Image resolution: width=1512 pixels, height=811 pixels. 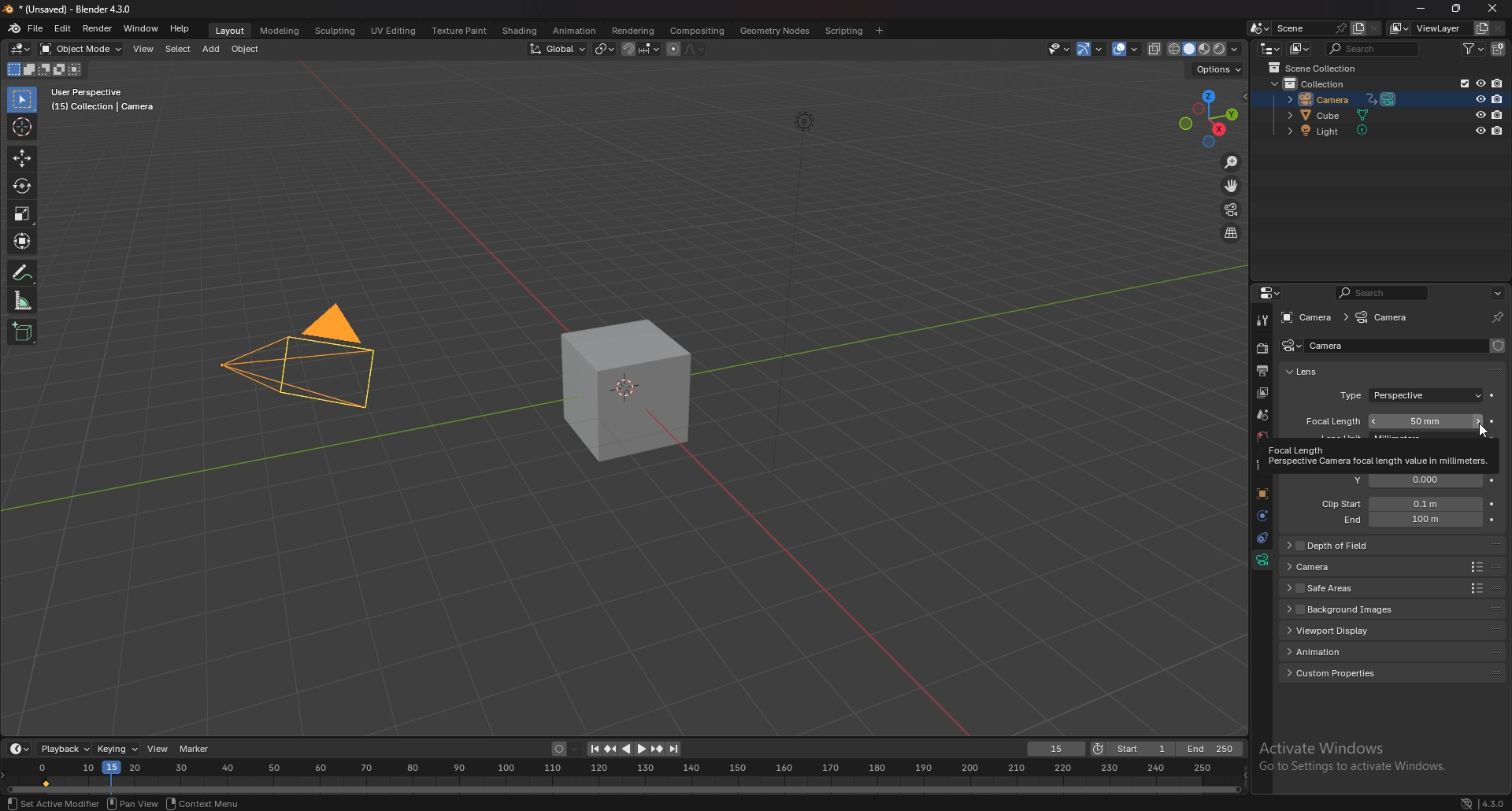 I want to click on editor type, so click(x=1271, y=292).